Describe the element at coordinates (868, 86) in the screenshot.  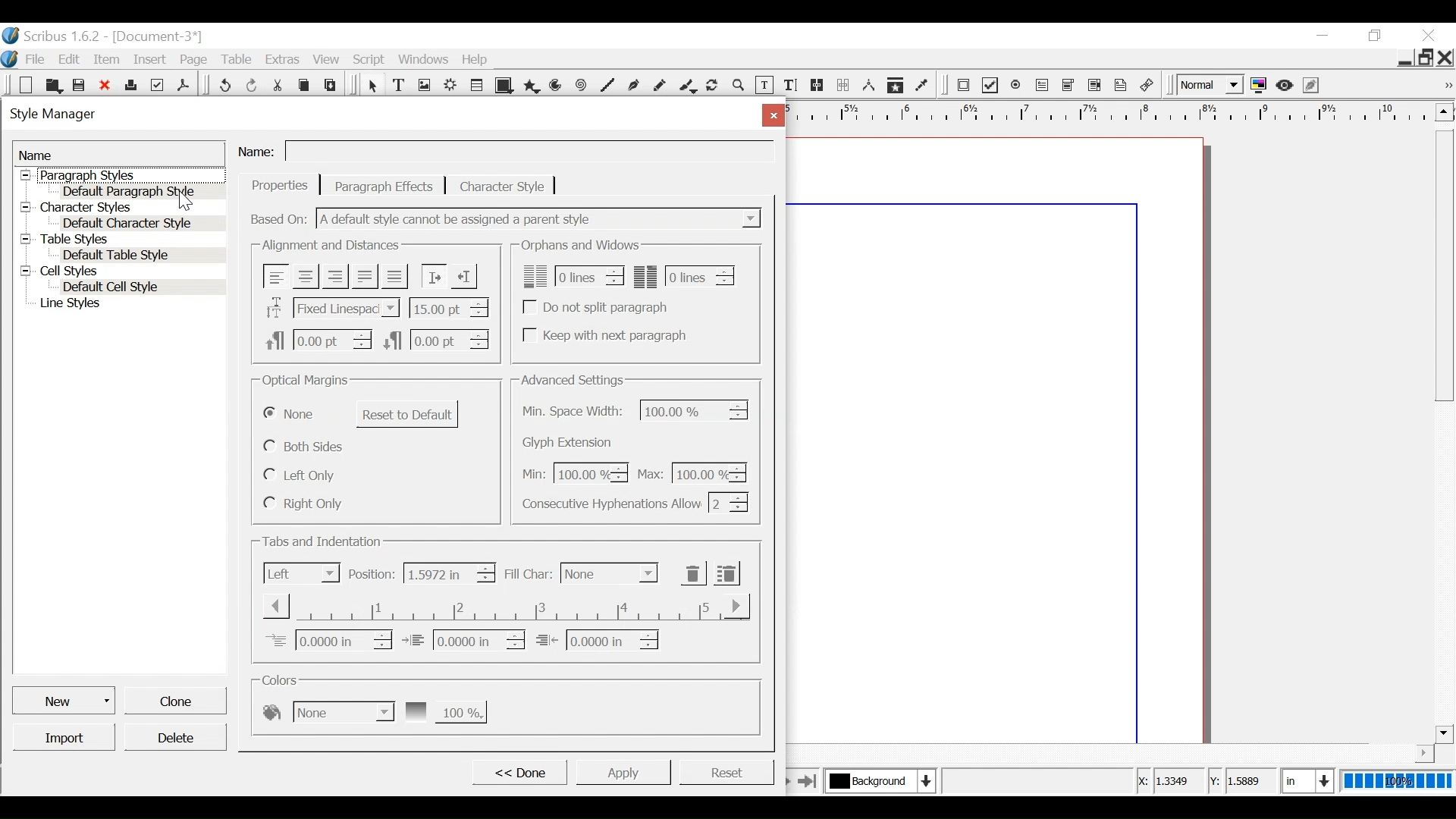
I see `Measurements` at that location.